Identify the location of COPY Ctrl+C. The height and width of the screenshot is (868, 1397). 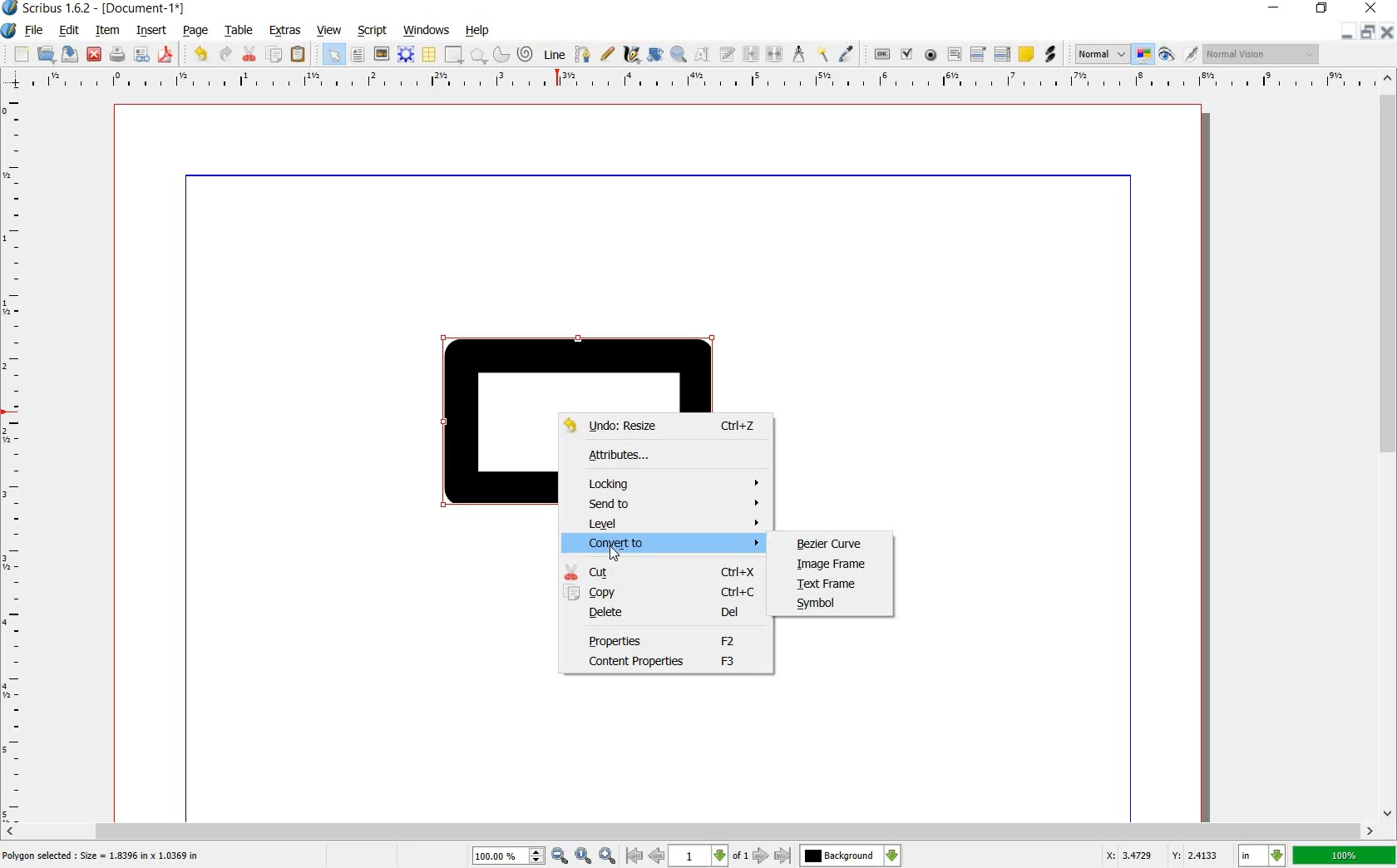
(662, 592).